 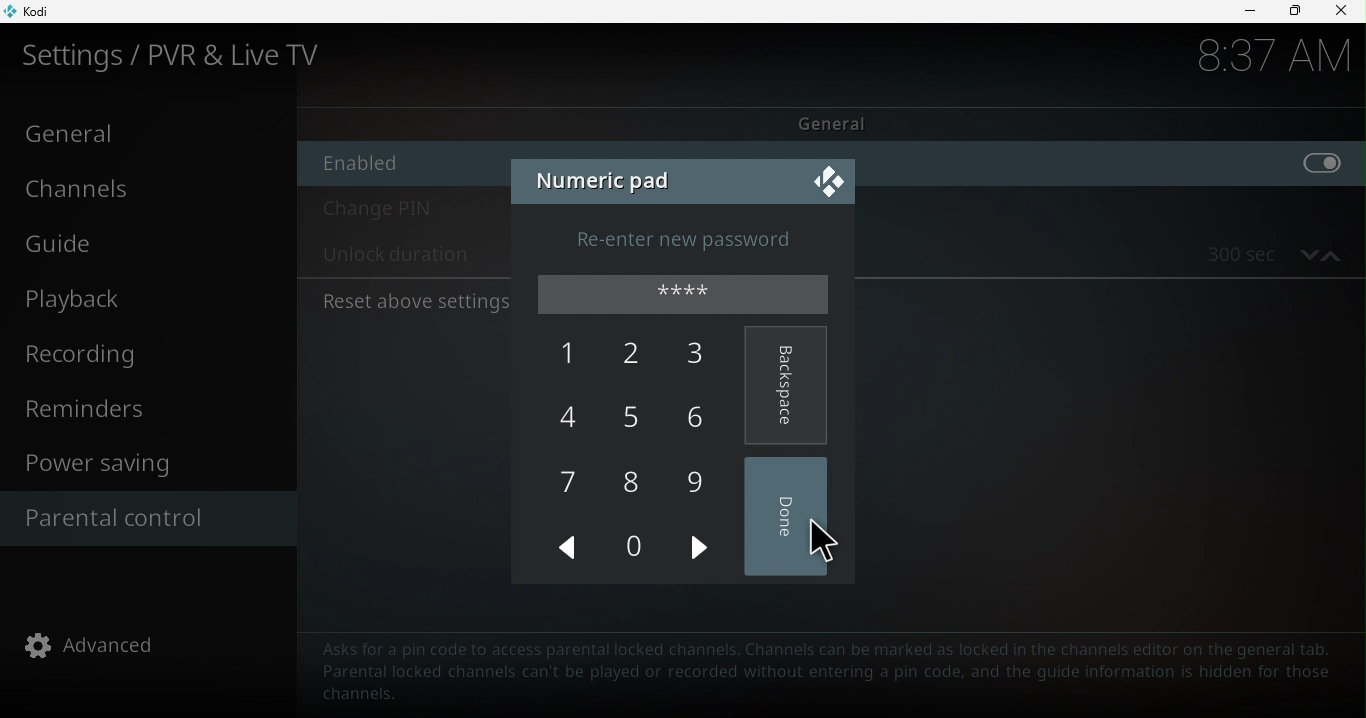 What do you see at coordinates (1333, 253) in the screenshot?
I see `increase` at bounding box center [1333, 253].